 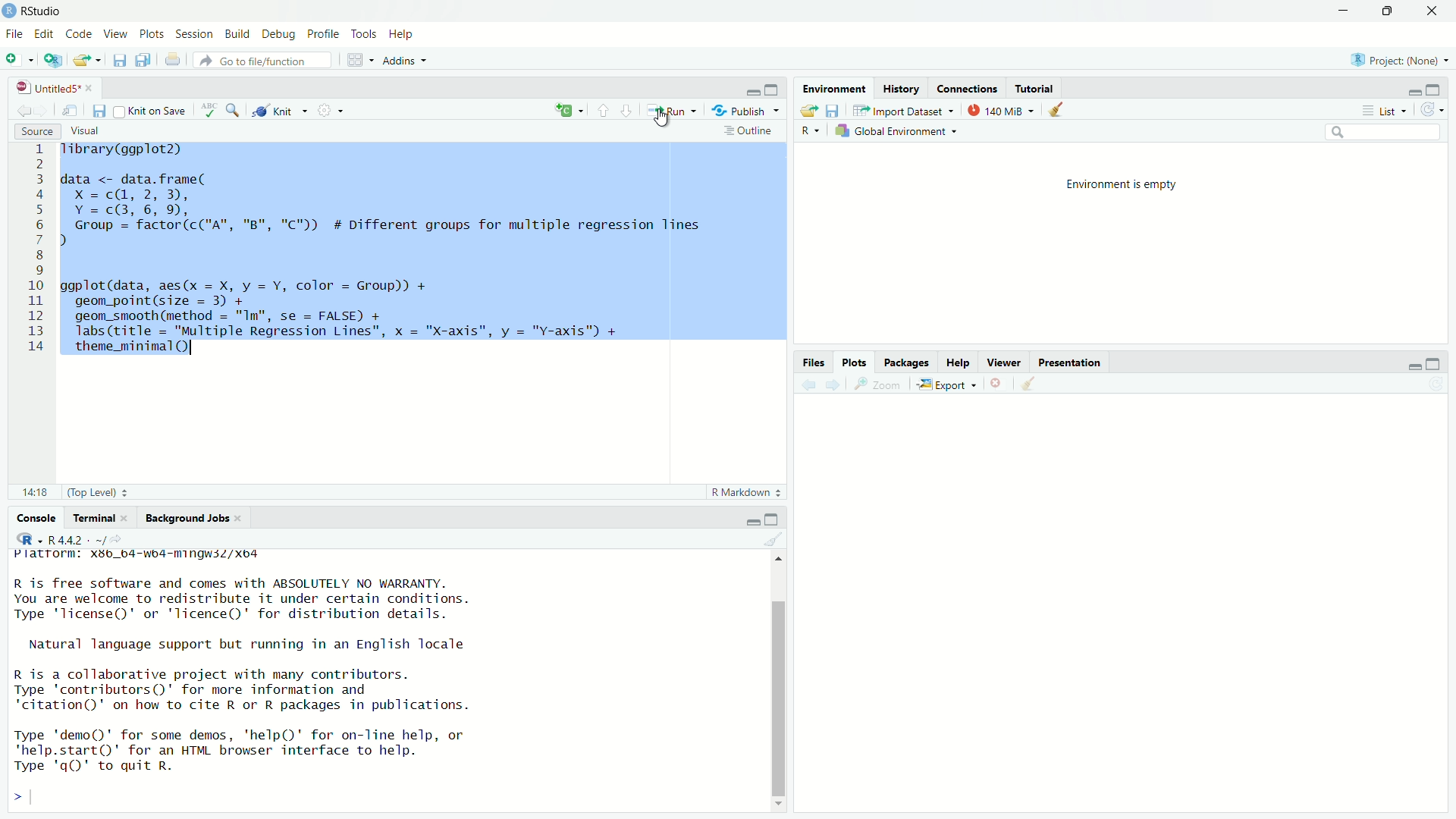 What do you see at coordinates (71, 491) in the screenshot?
I see `81 (Top Level) :` at bounding box center [71, 491].